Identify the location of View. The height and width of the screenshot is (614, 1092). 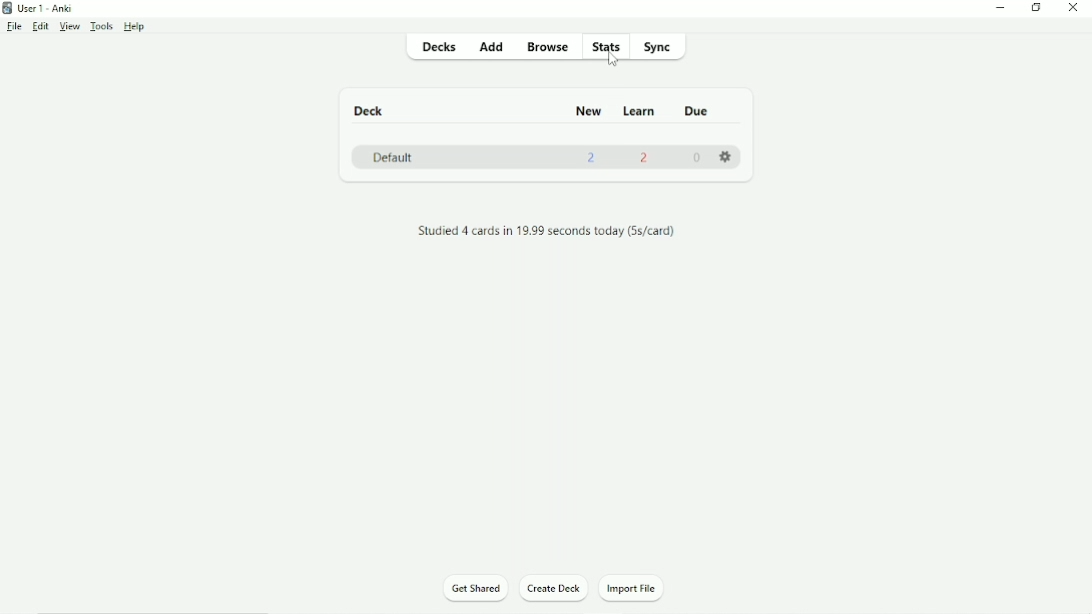
(70, 27).